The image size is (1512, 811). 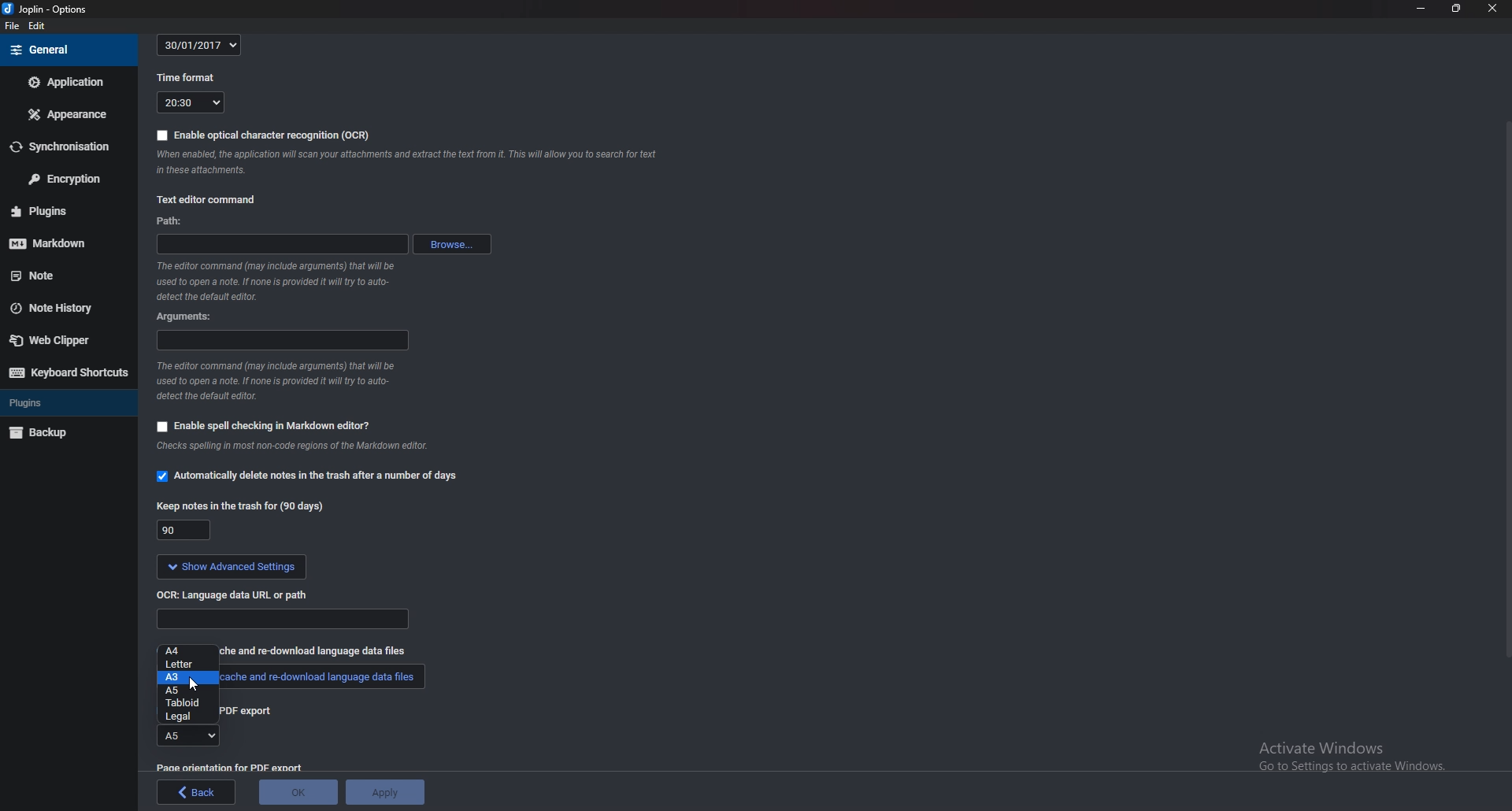 I want to click on Appearance, so click(x=66, y=113).